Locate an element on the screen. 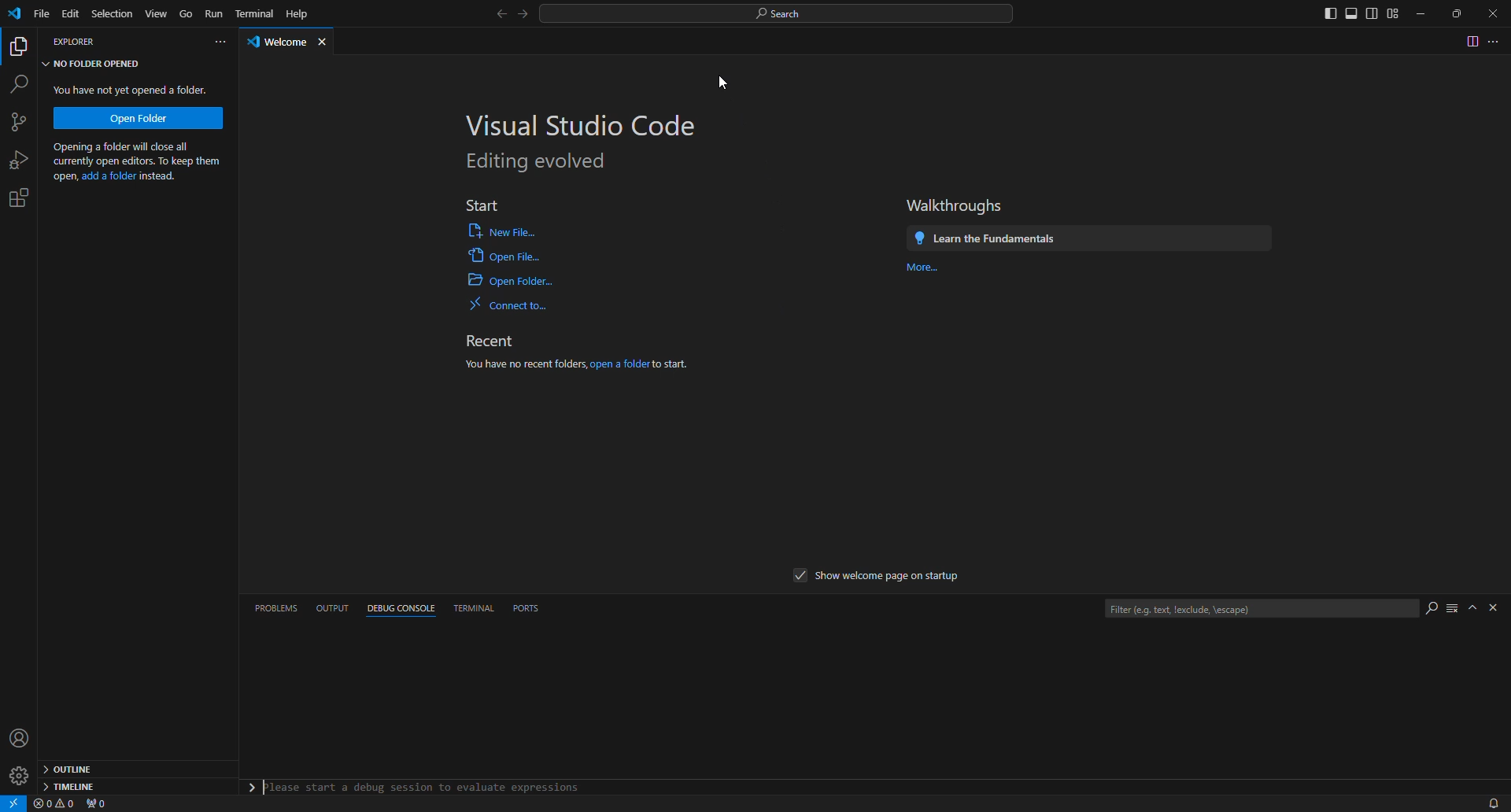 Image resolution: width=1511 pixels, height=812 pixels. more options is located at coordinates (205, 45).